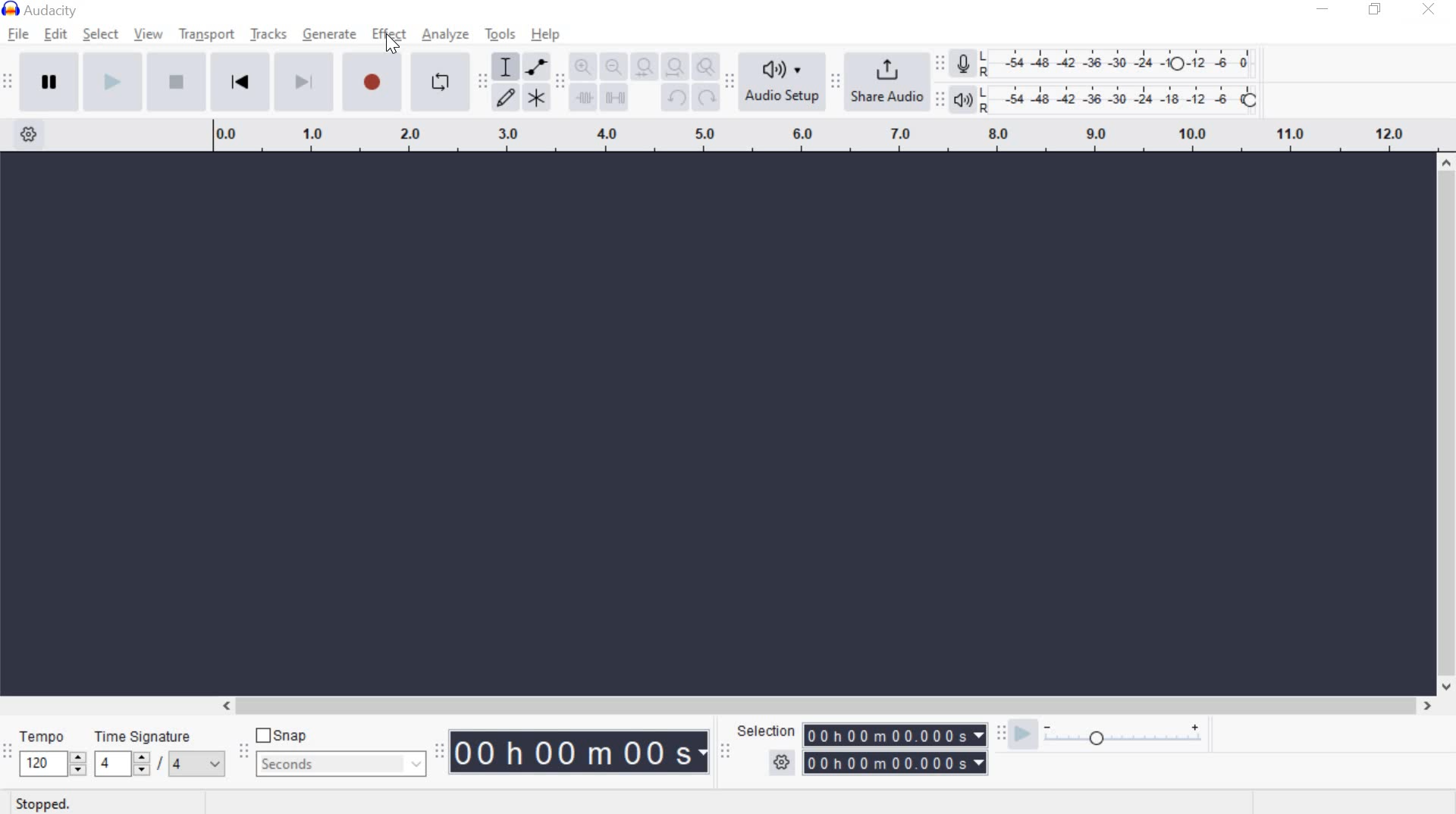  What do you see at coordinates (390, 45) in the screenshot?
I see `cursor` at bounding box center [390, 45].